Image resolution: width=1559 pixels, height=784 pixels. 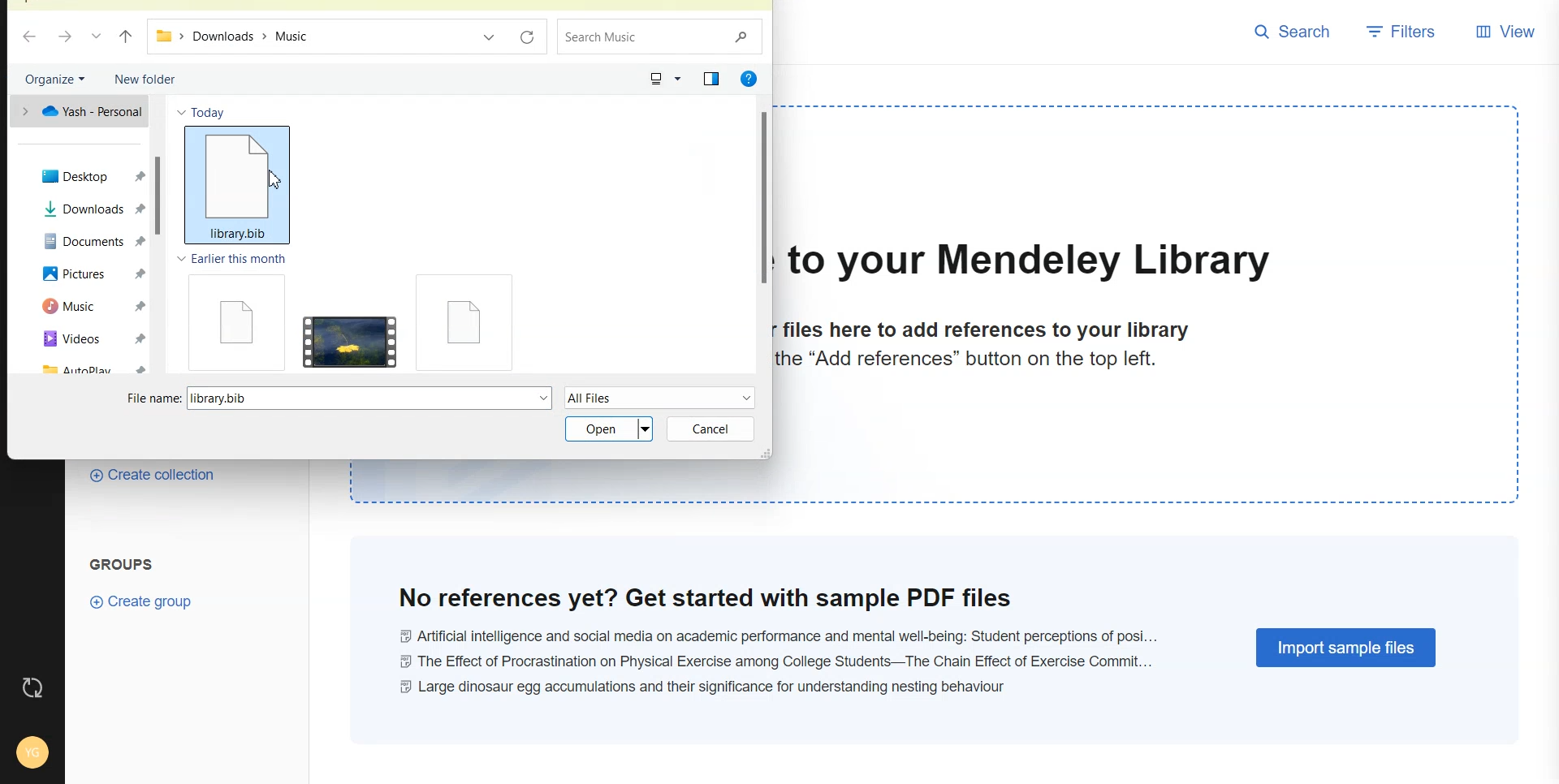 I want to click on Documents, so click(x=89, y=239).